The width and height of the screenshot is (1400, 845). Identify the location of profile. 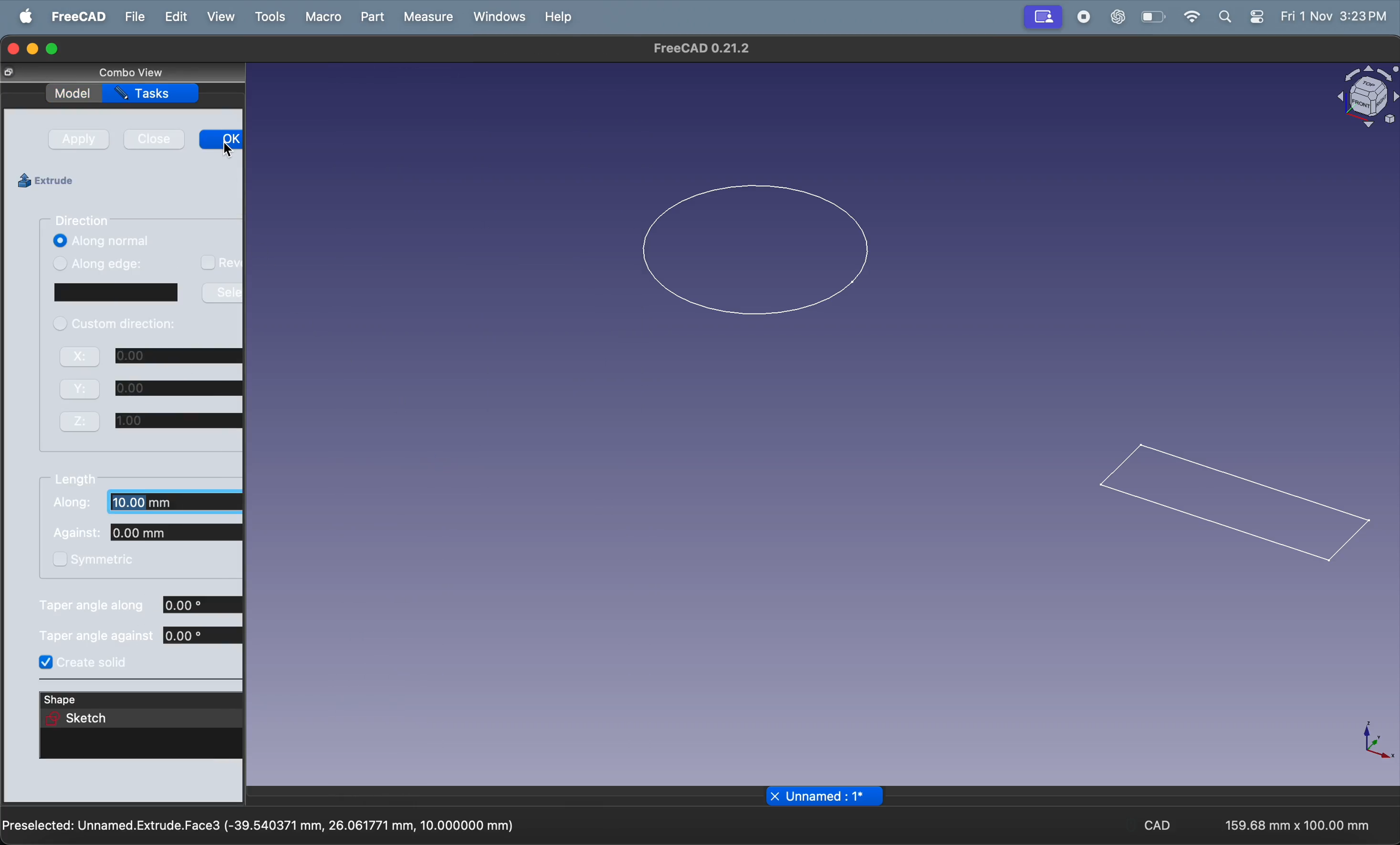
(1041, 18).